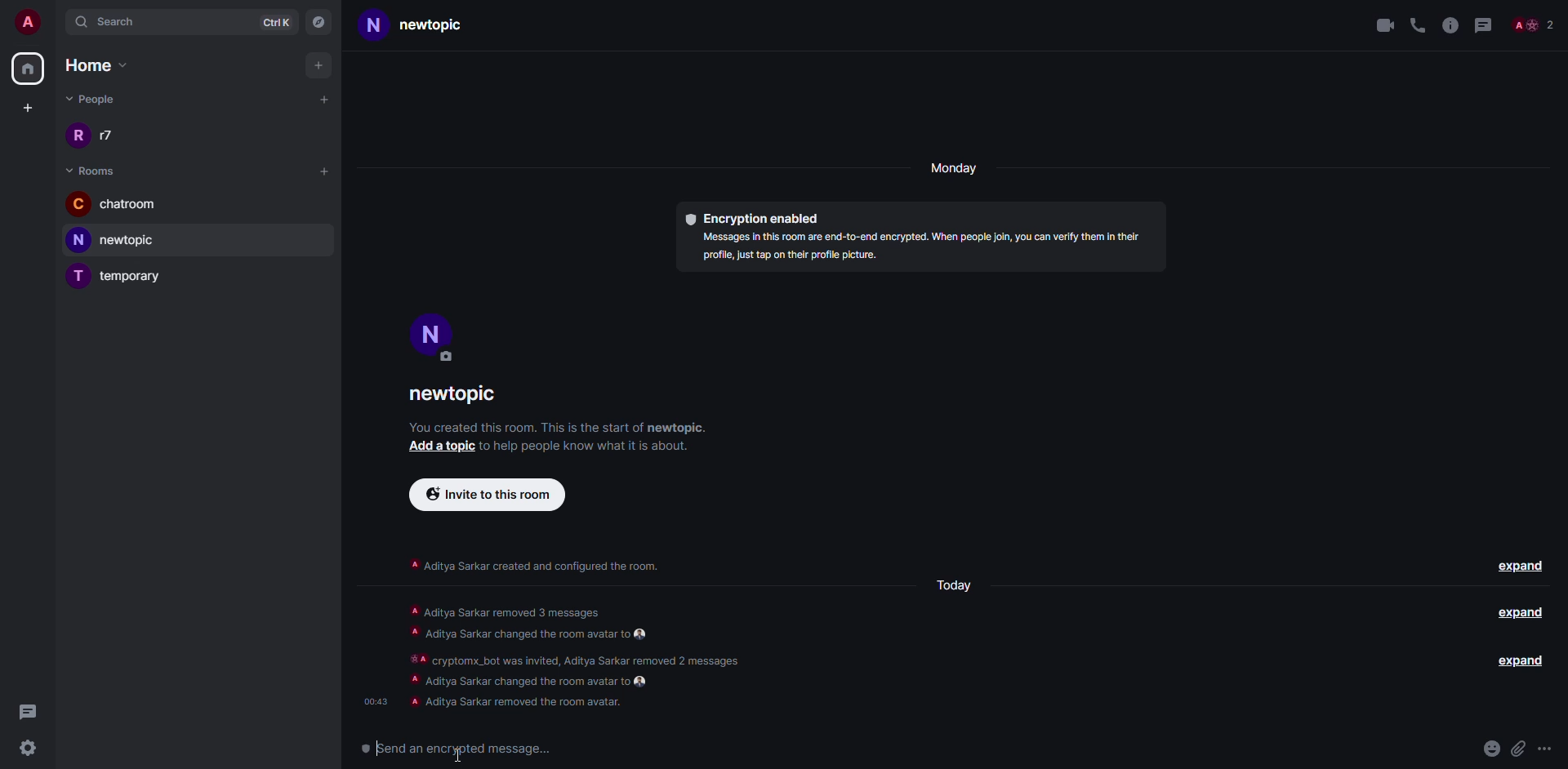 The width and height of the screenshot is (1568, 769). Describe the element at coordinates (320, 20) in the screenshot. I see `navigator` at that location.